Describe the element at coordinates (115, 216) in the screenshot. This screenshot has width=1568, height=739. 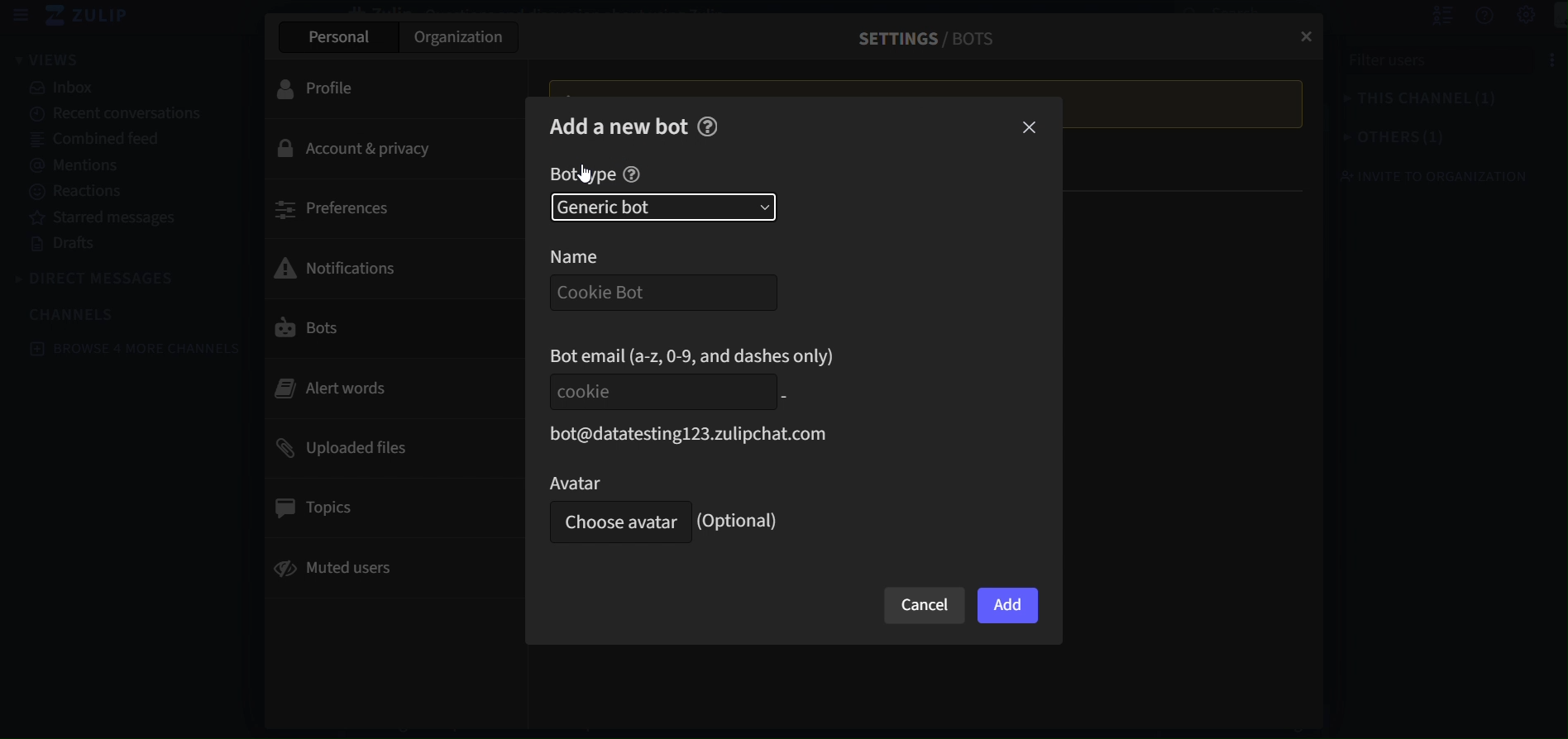
I see `starred messages` at that location.